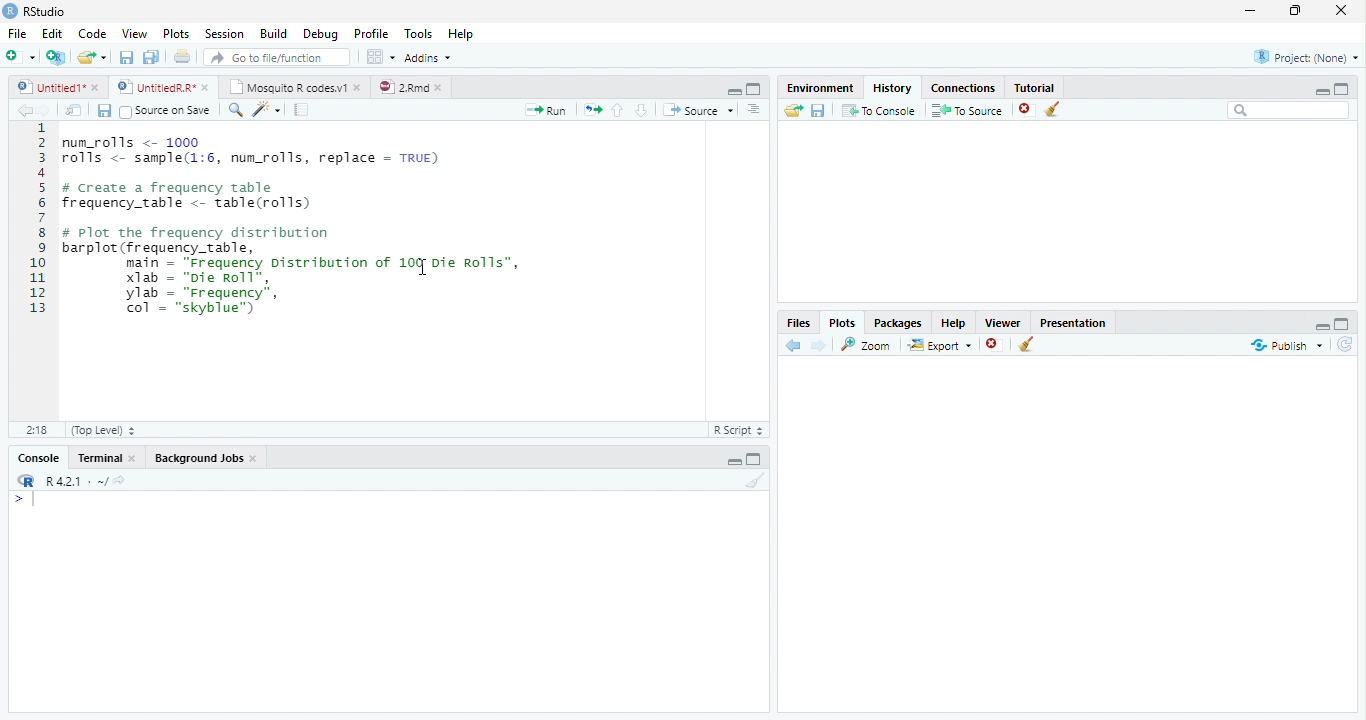 Image resolution: width=1366 pixels, height=720 pixels. What do you see at coordinates (642, 110) in the screenshot?
I see `Go to next section of code` at bounding box center [642, 110].